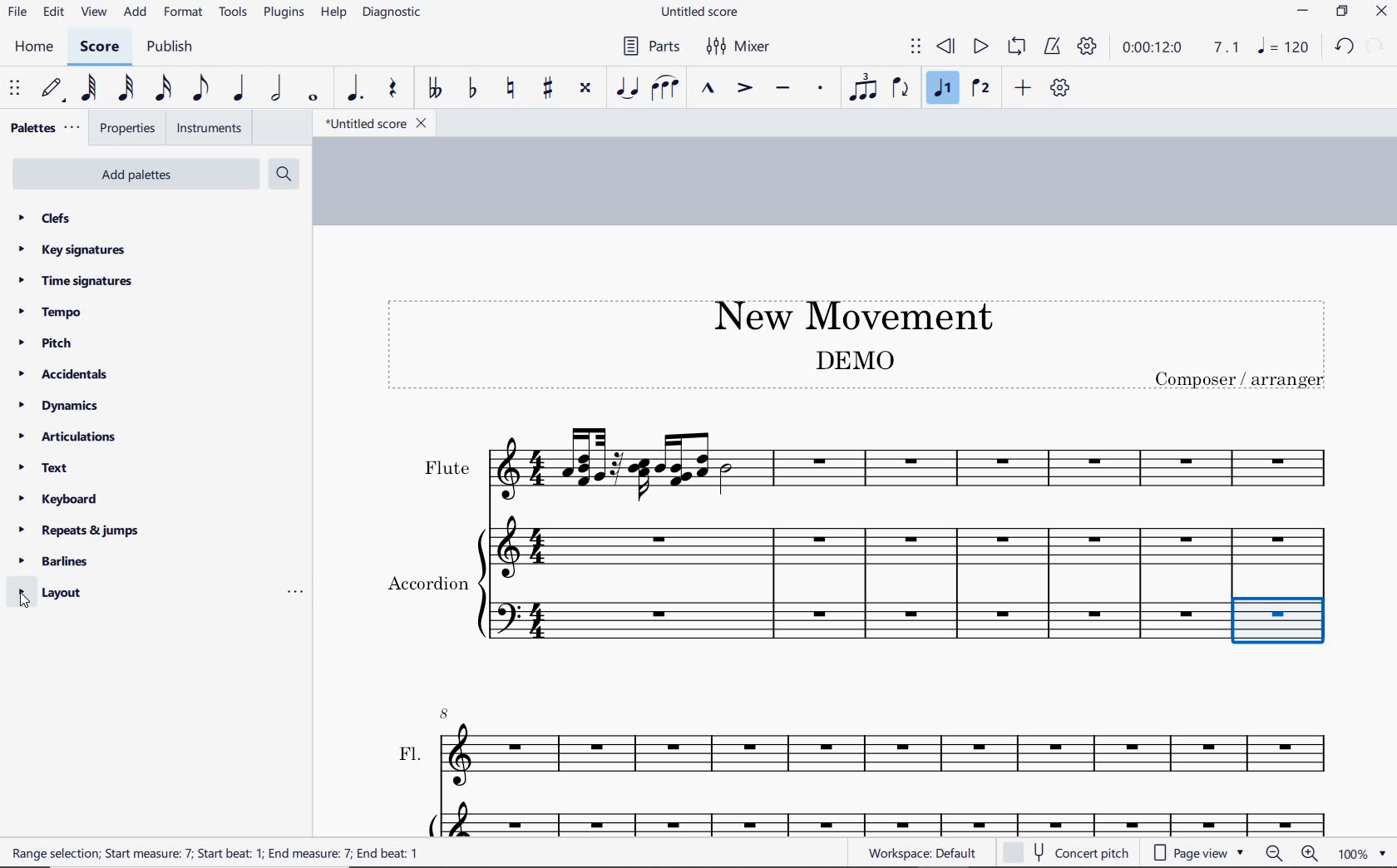  What do you see at coordinates (710, 90) in the screenshot?
I see `marcato` at bounding box center [710, 90].